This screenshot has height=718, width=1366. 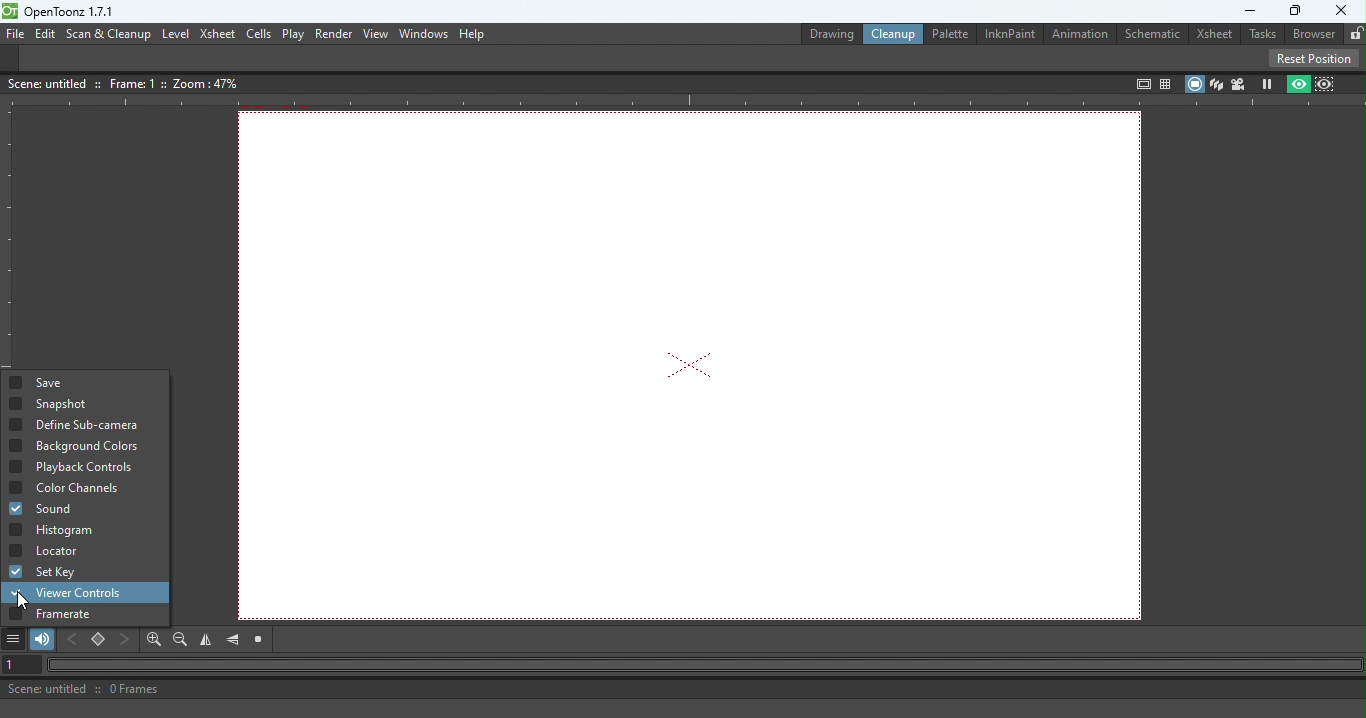 What do you see at coordinates (1267, 83) in the screenshot?
I see `Freeze` at bounding box center [1267, 83].